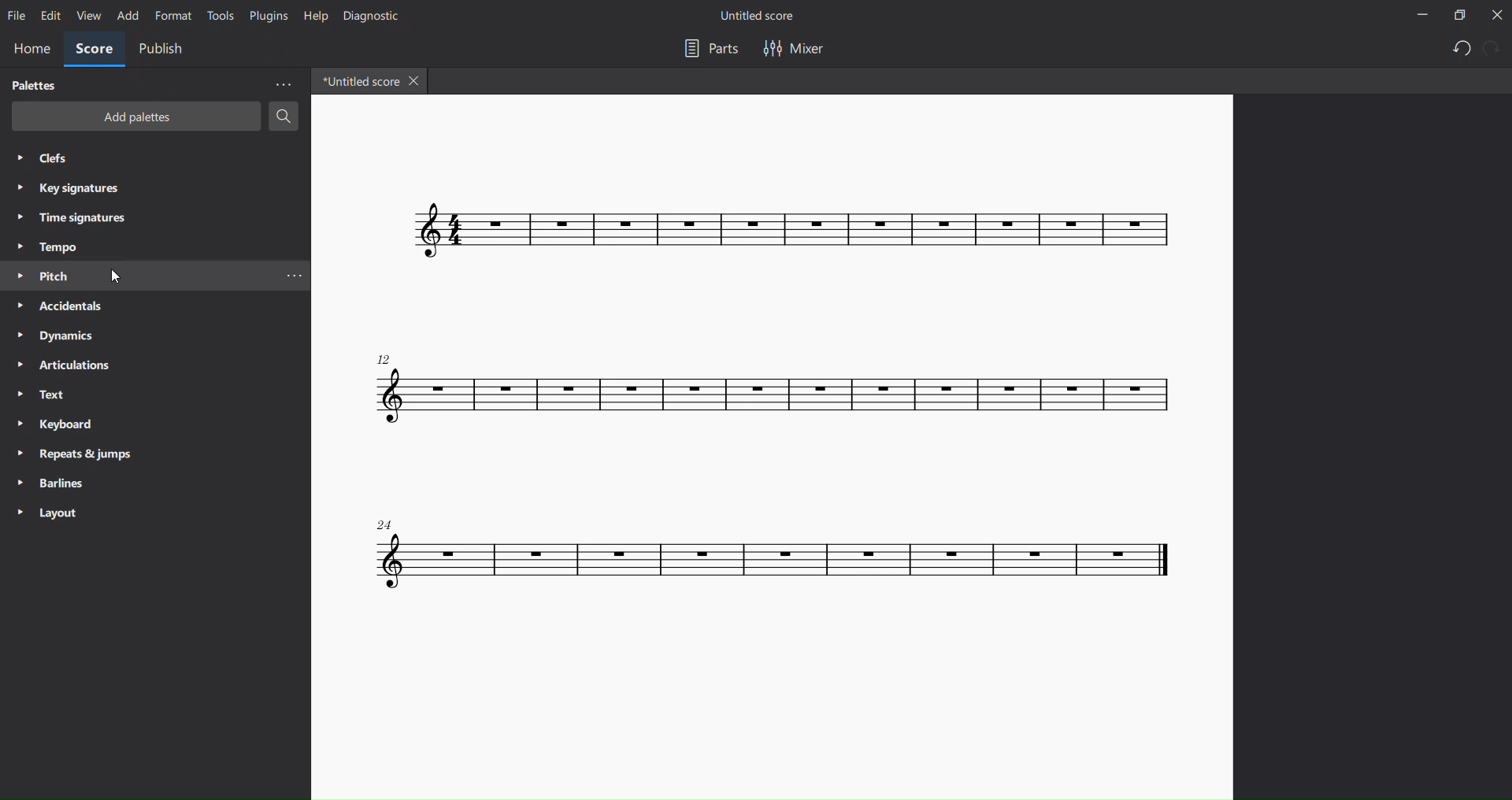 This screenshot has width=1512, height=800. Describe the element at coordinates (18, 14) in the screenshot. I see `file` at that location.